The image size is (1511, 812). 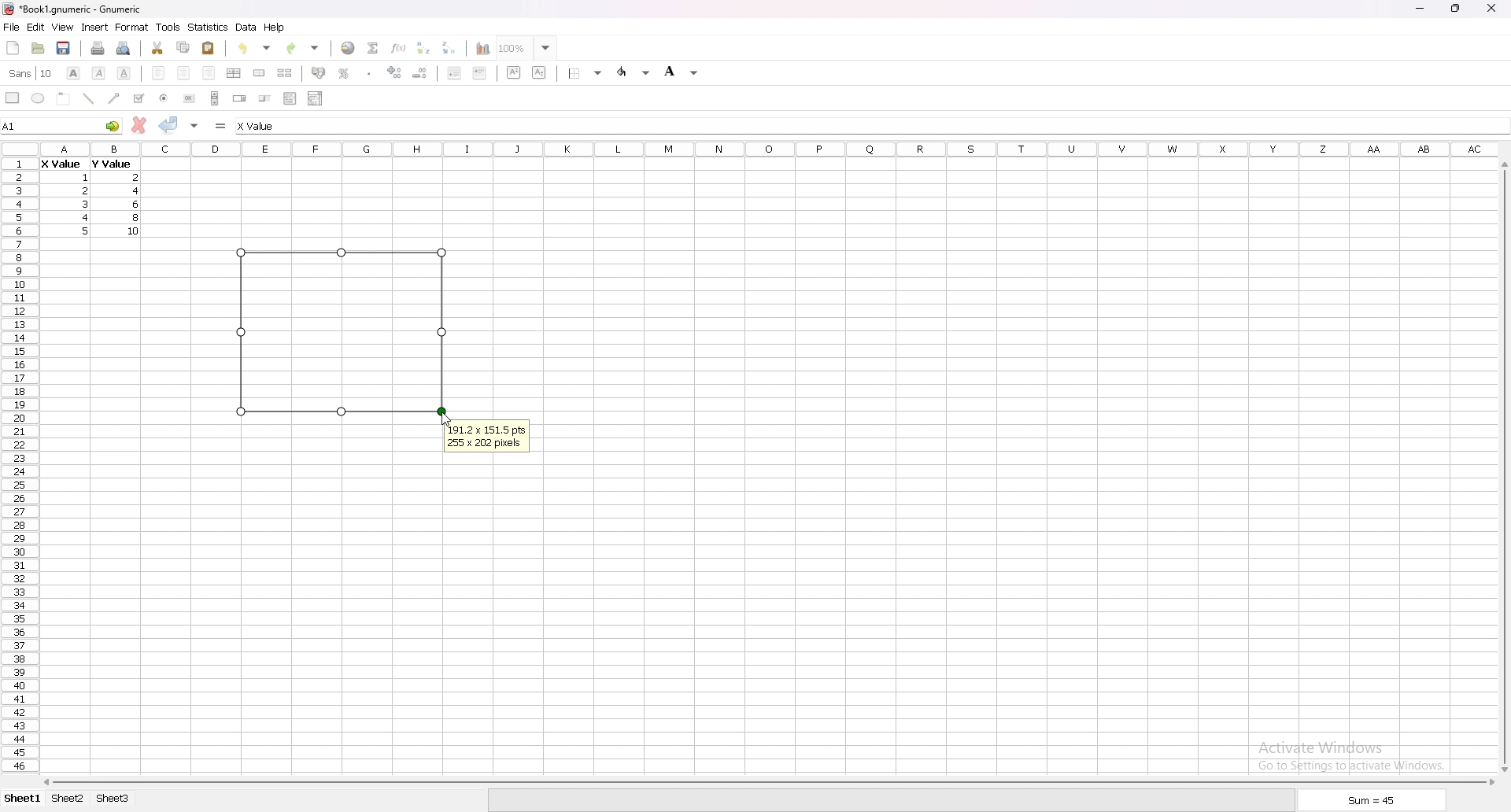 I want to click on formula, so click(x=222, y=125).